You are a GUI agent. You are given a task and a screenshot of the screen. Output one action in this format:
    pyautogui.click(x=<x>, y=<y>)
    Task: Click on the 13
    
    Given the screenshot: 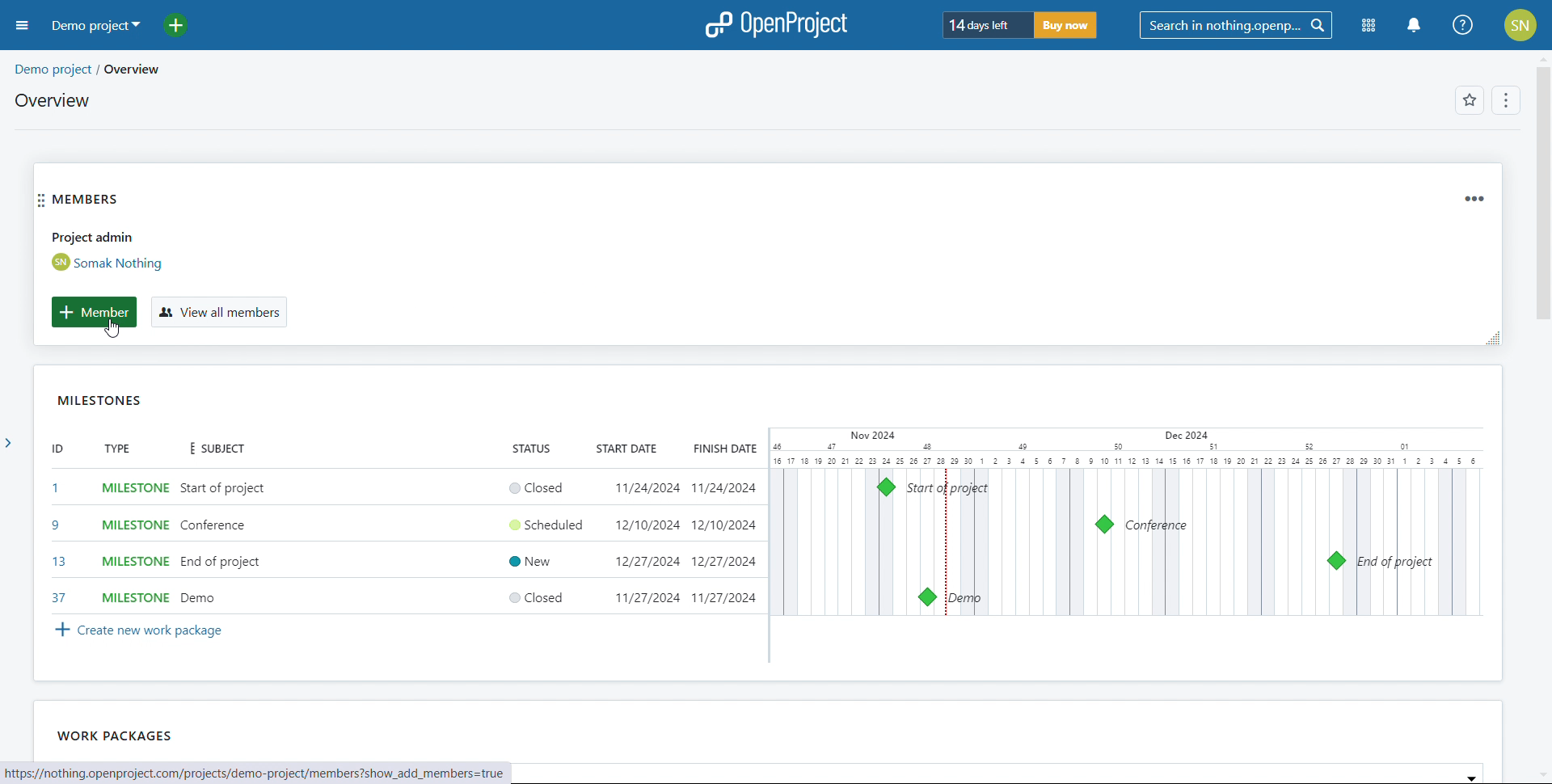 What is the action you would take?
    pyautogui.click(x=54, y=563)
    